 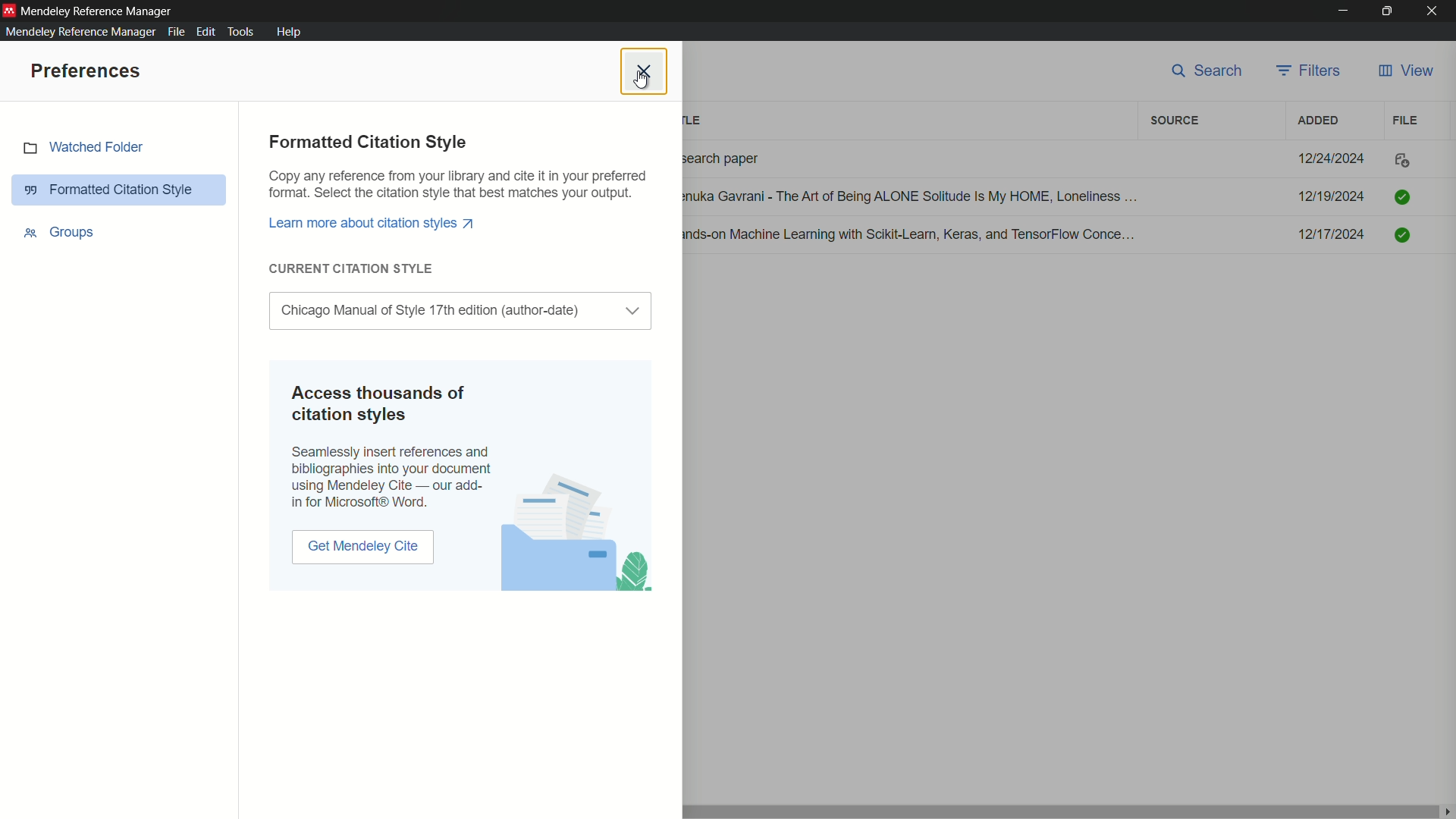 What do you see at coordinates (1056, 158) in the screenshot?
I see `details` at bounding box center [1056, 158].